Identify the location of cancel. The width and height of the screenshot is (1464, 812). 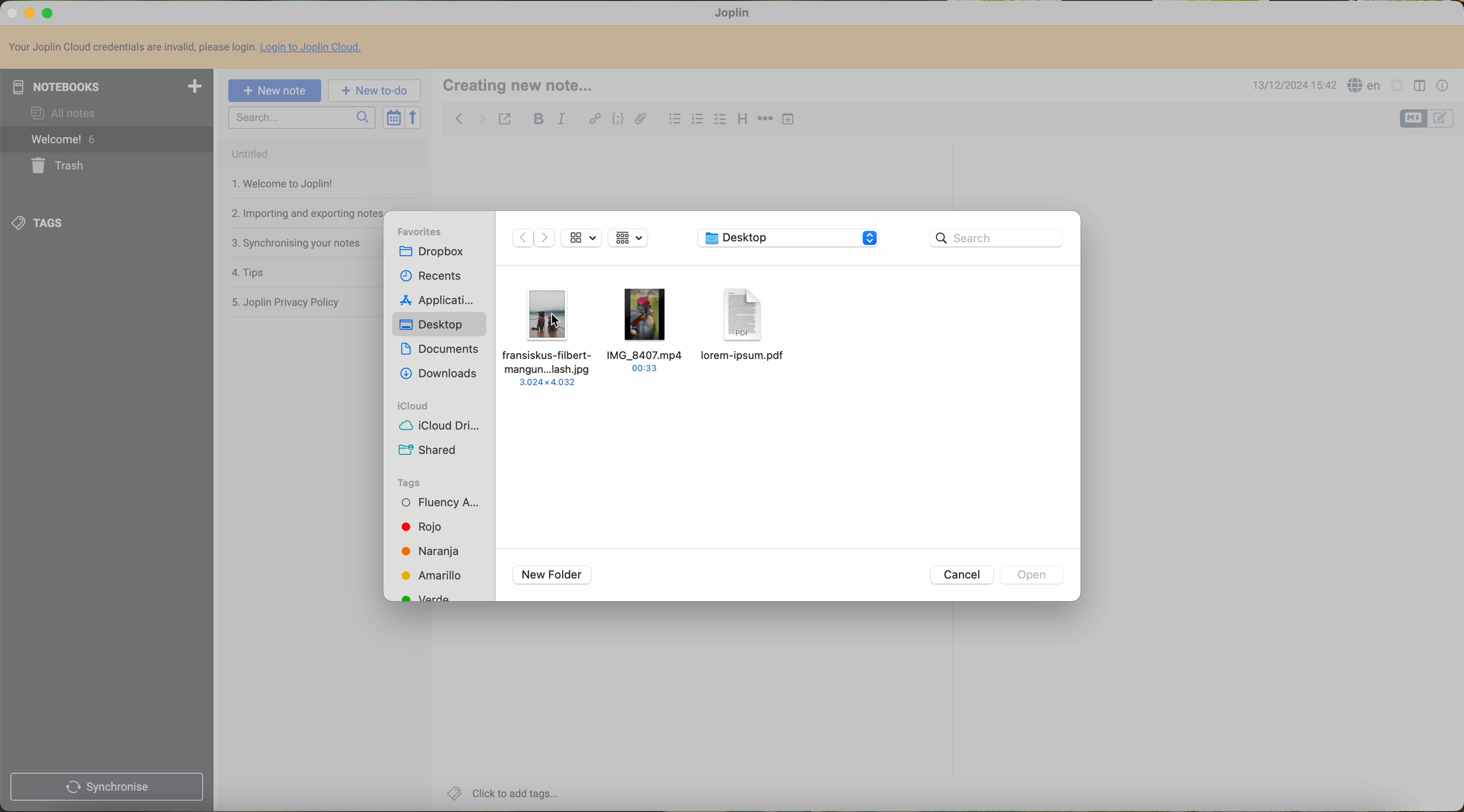
(962, 575).